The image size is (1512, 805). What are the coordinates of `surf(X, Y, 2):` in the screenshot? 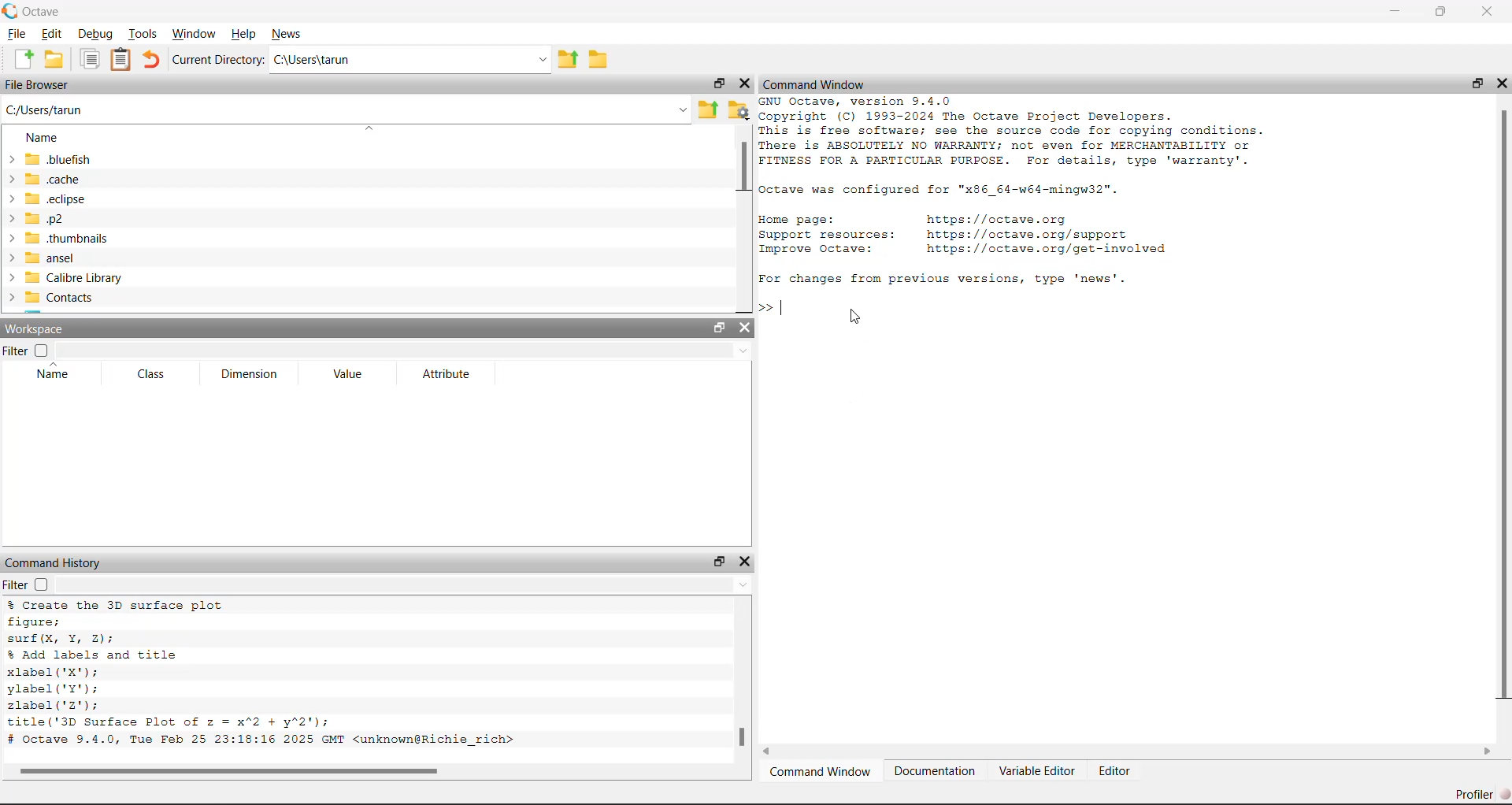 It's located at (61, 638).